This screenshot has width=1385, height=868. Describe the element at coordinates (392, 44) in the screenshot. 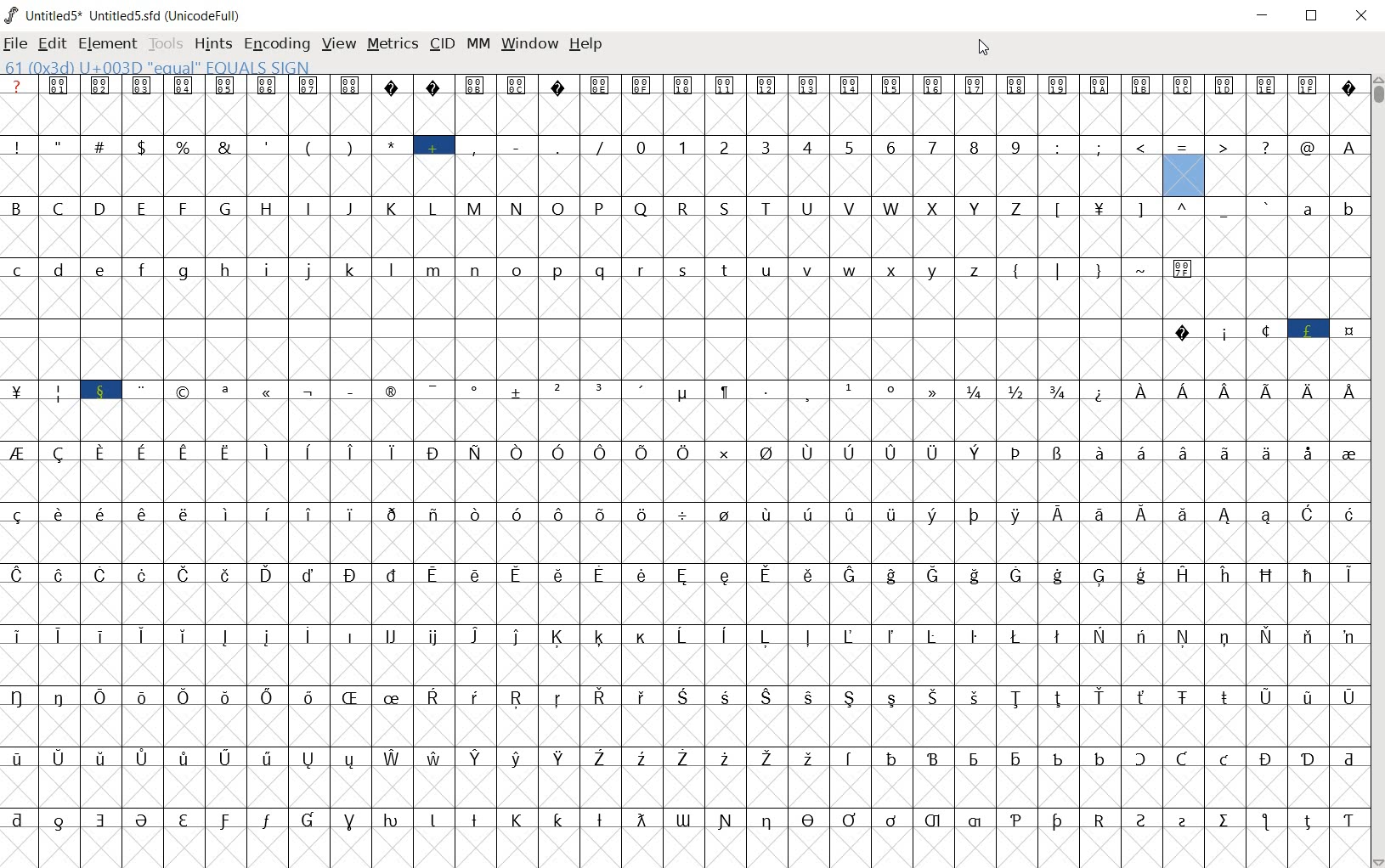

I see `metrics` at that location.